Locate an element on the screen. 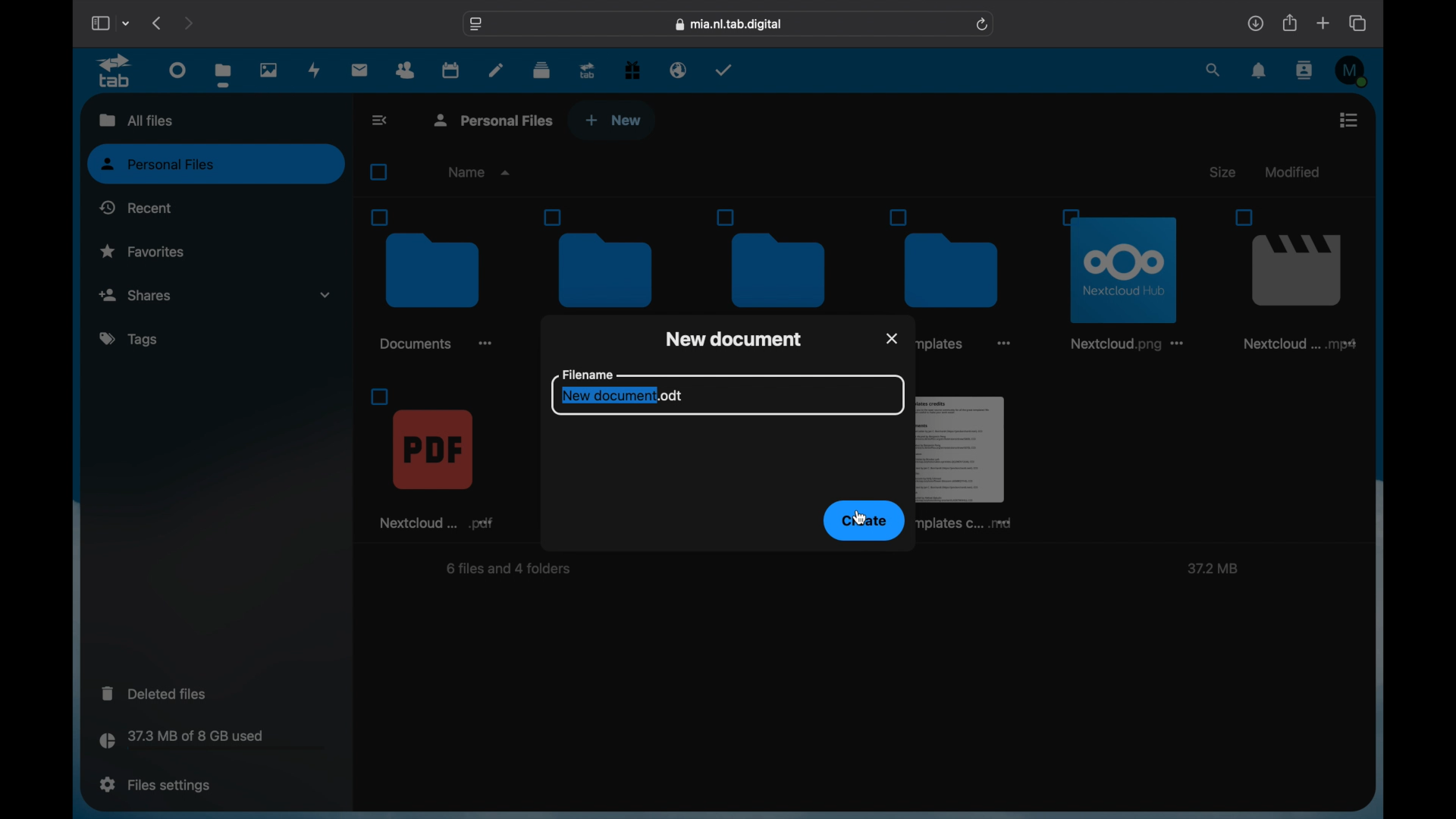 This screenshot has width=1456, height=819. folder is located at coordinates (431, 279).